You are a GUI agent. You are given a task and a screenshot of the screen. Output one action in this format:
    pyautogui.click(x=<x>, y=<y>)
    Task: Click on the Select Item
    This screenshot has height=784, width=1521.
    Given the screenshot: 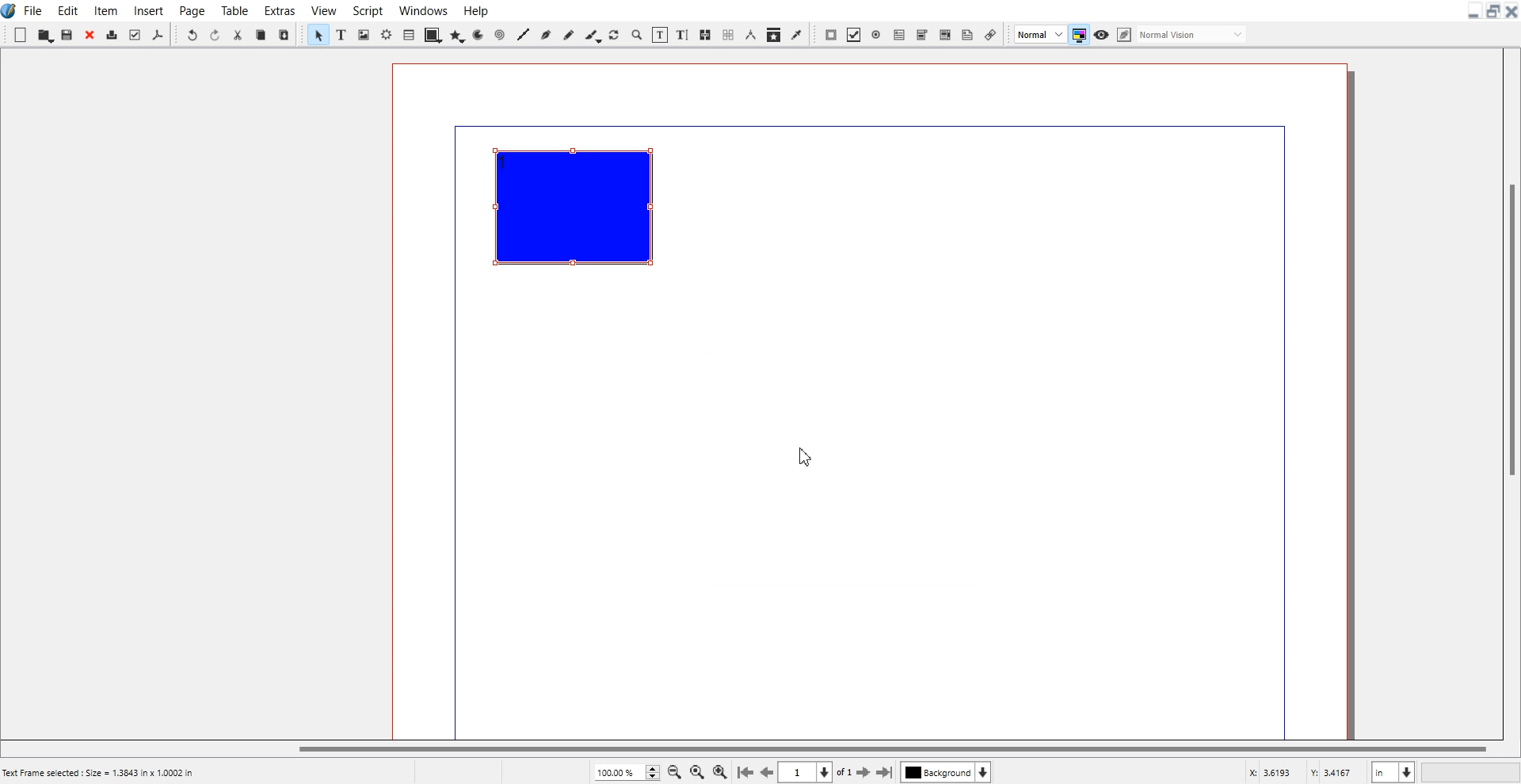 What is the action you would take?
    pyautogui.click(x=318, y=34)
    